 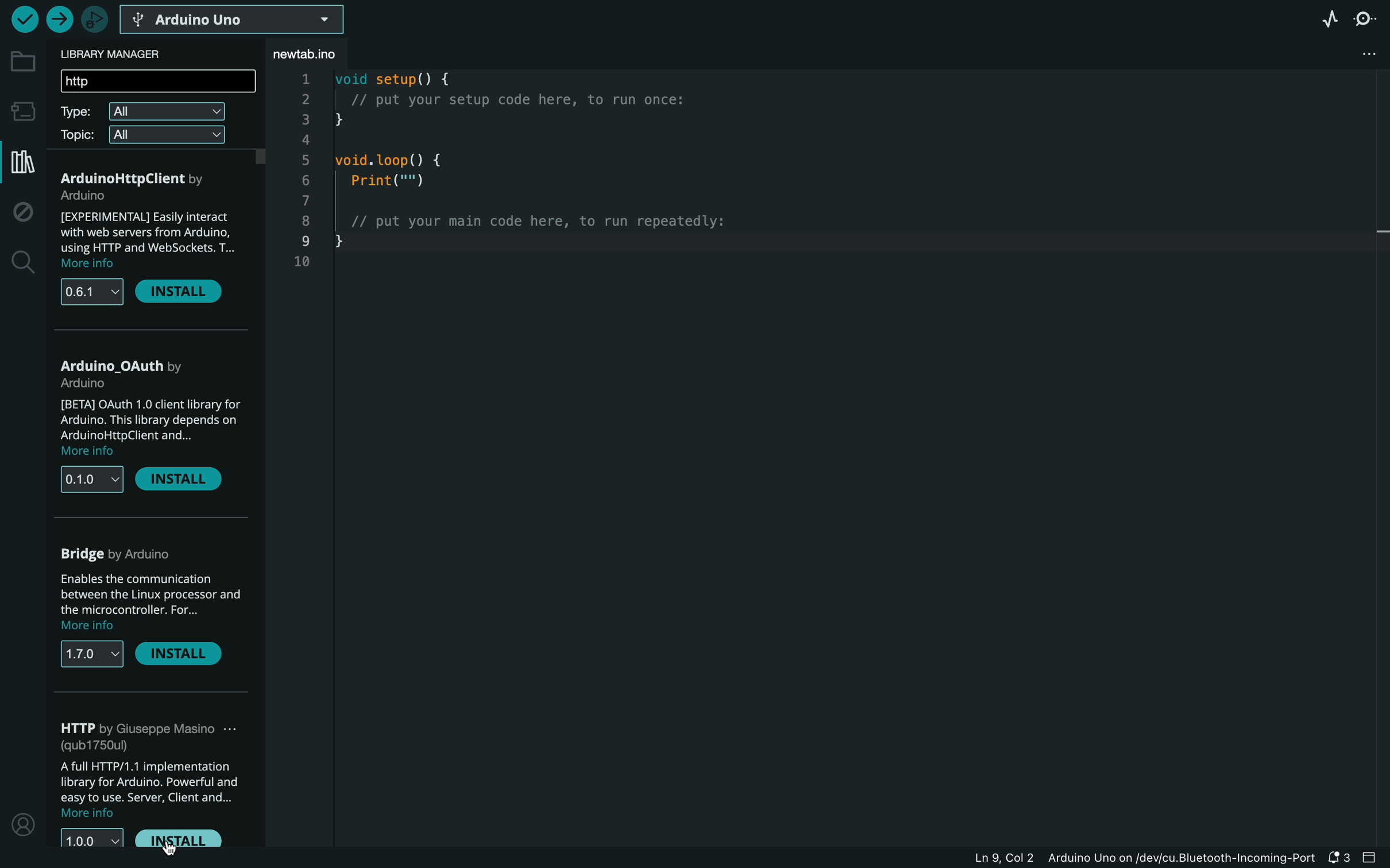 I want to click on description, so click(x=144, y=788).